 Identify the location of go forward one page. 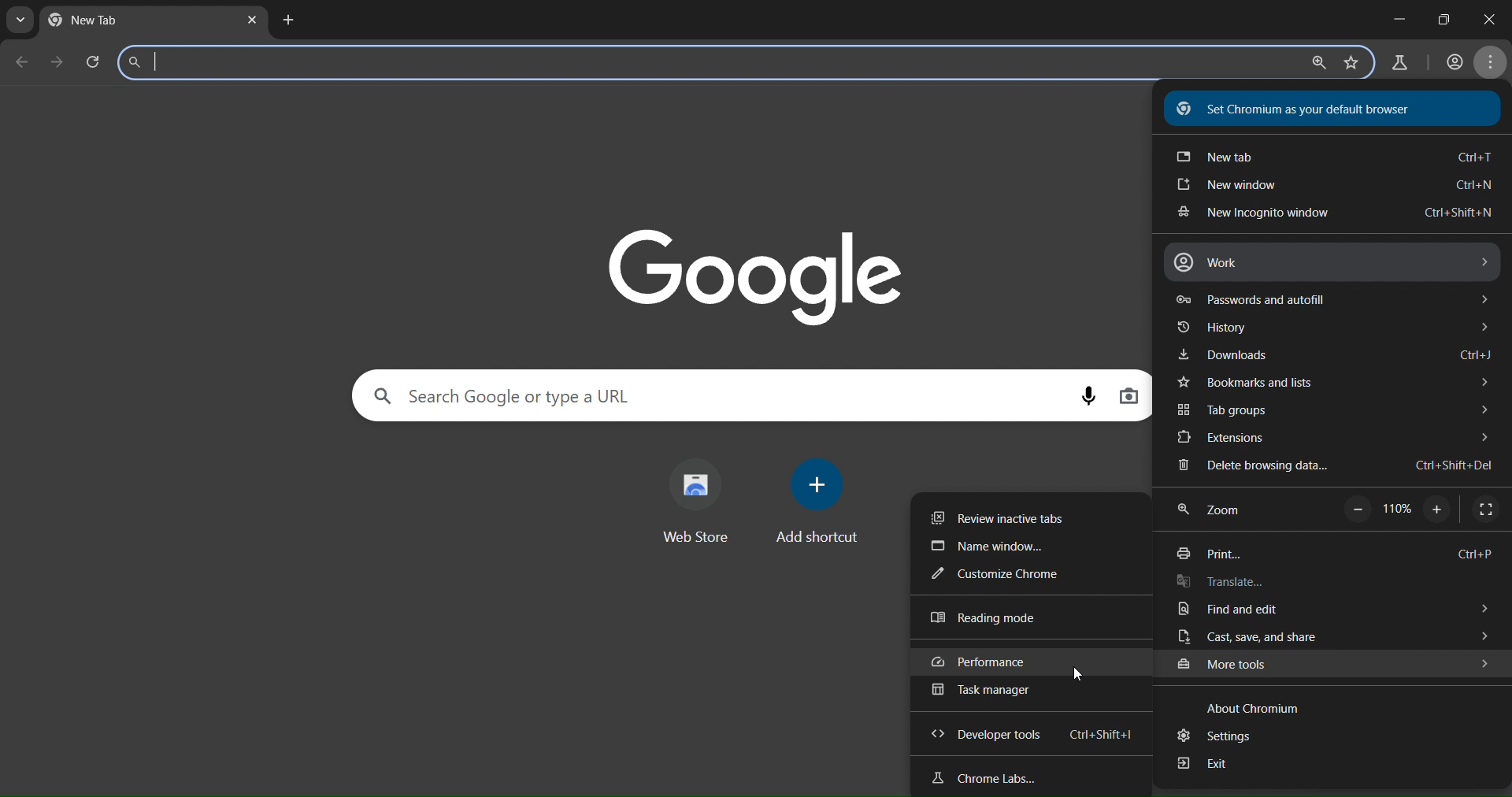
(60, 63).